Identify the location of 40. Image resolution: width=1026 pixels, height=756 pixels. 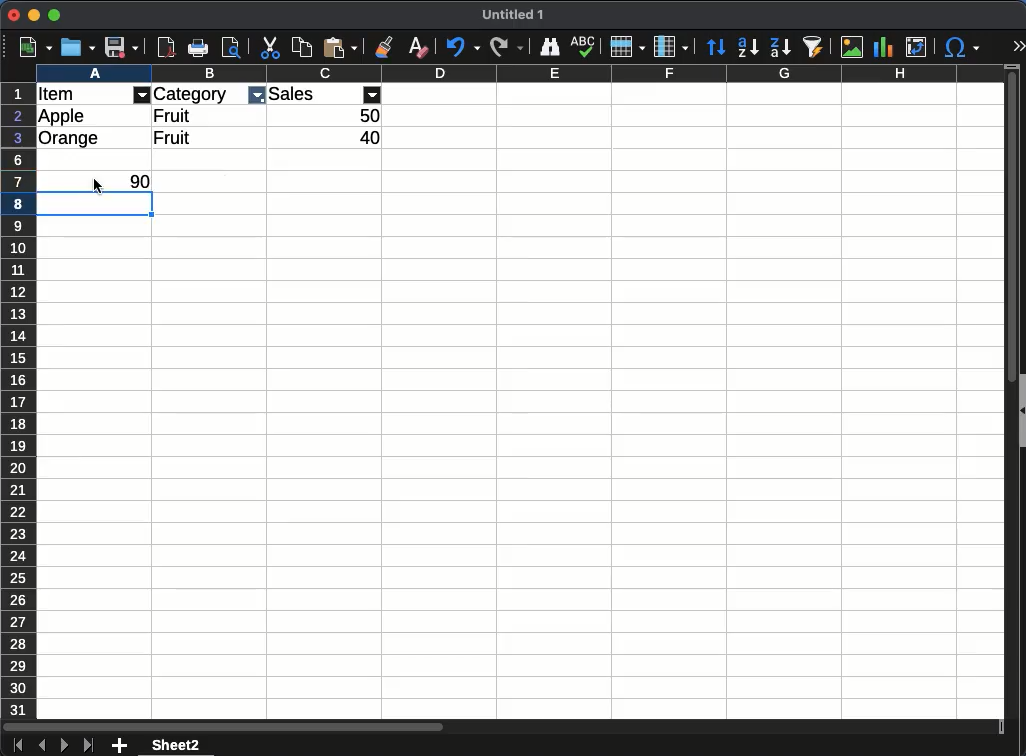
(370, 138).